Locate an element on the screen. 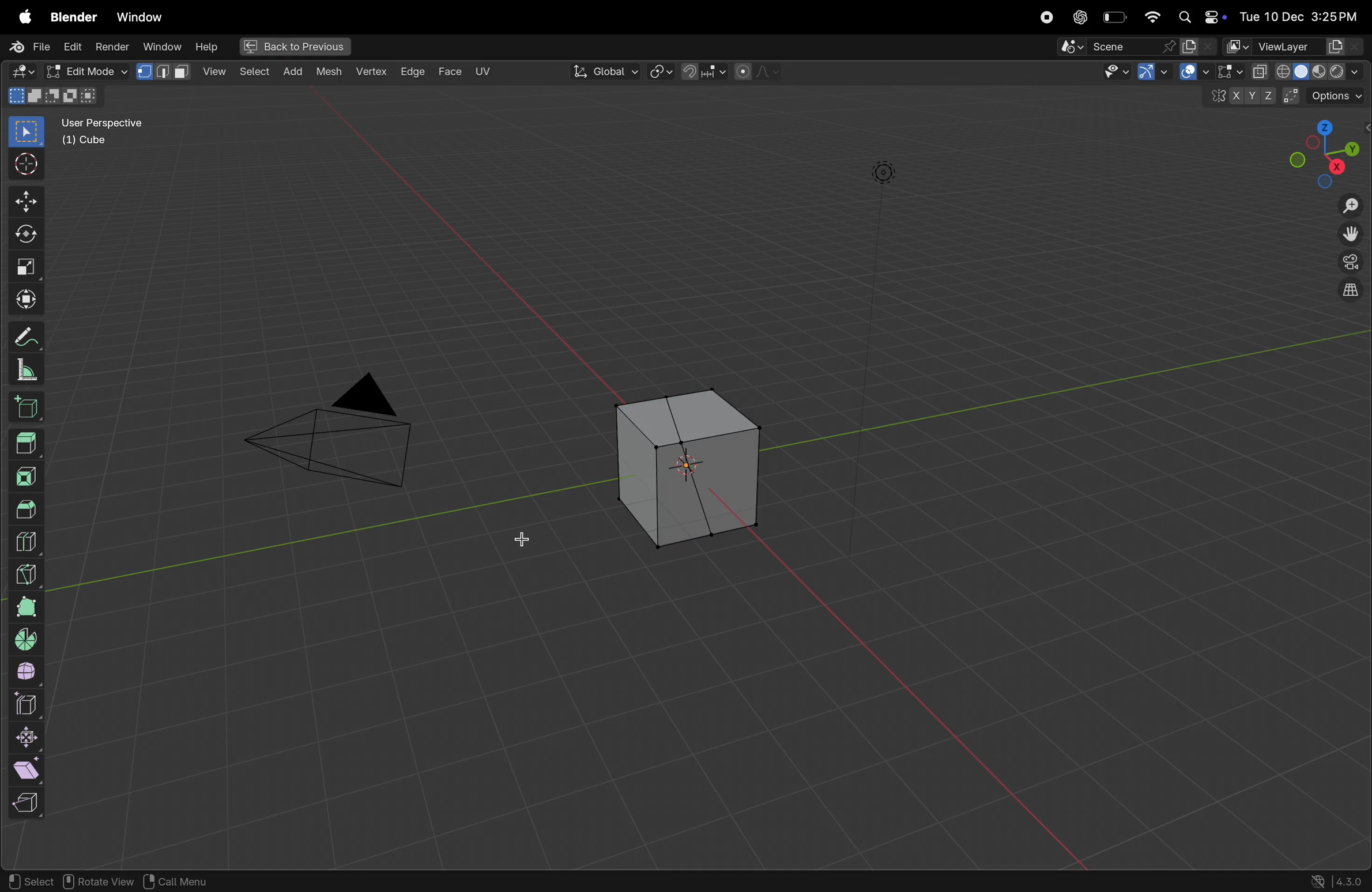  Object is located at coordinates (295, 70).